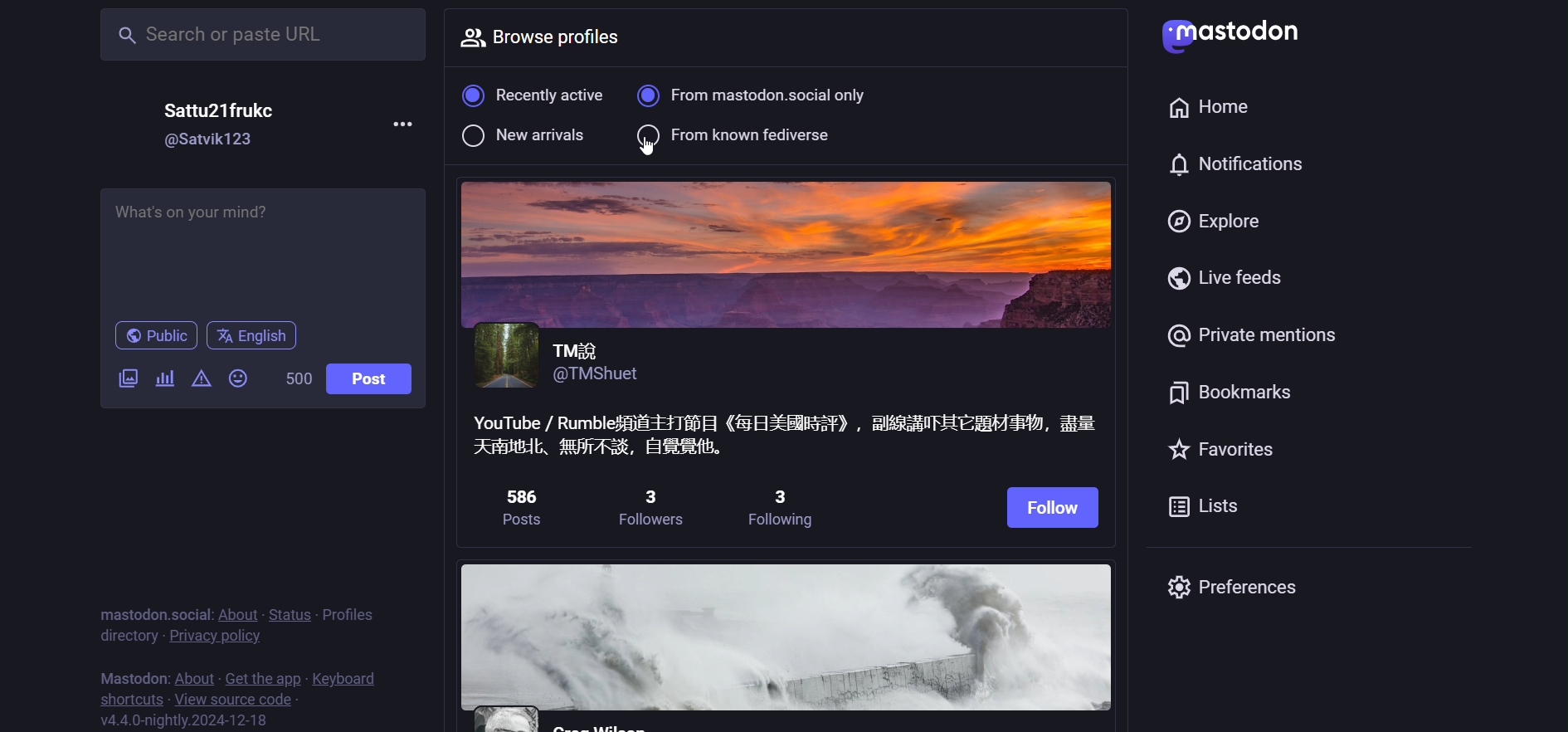 The width and height of the screenshot is (1568, 732). Describe the element at coordinates (216, 140) in the screenshot. I see `@Satvik123` at that location.